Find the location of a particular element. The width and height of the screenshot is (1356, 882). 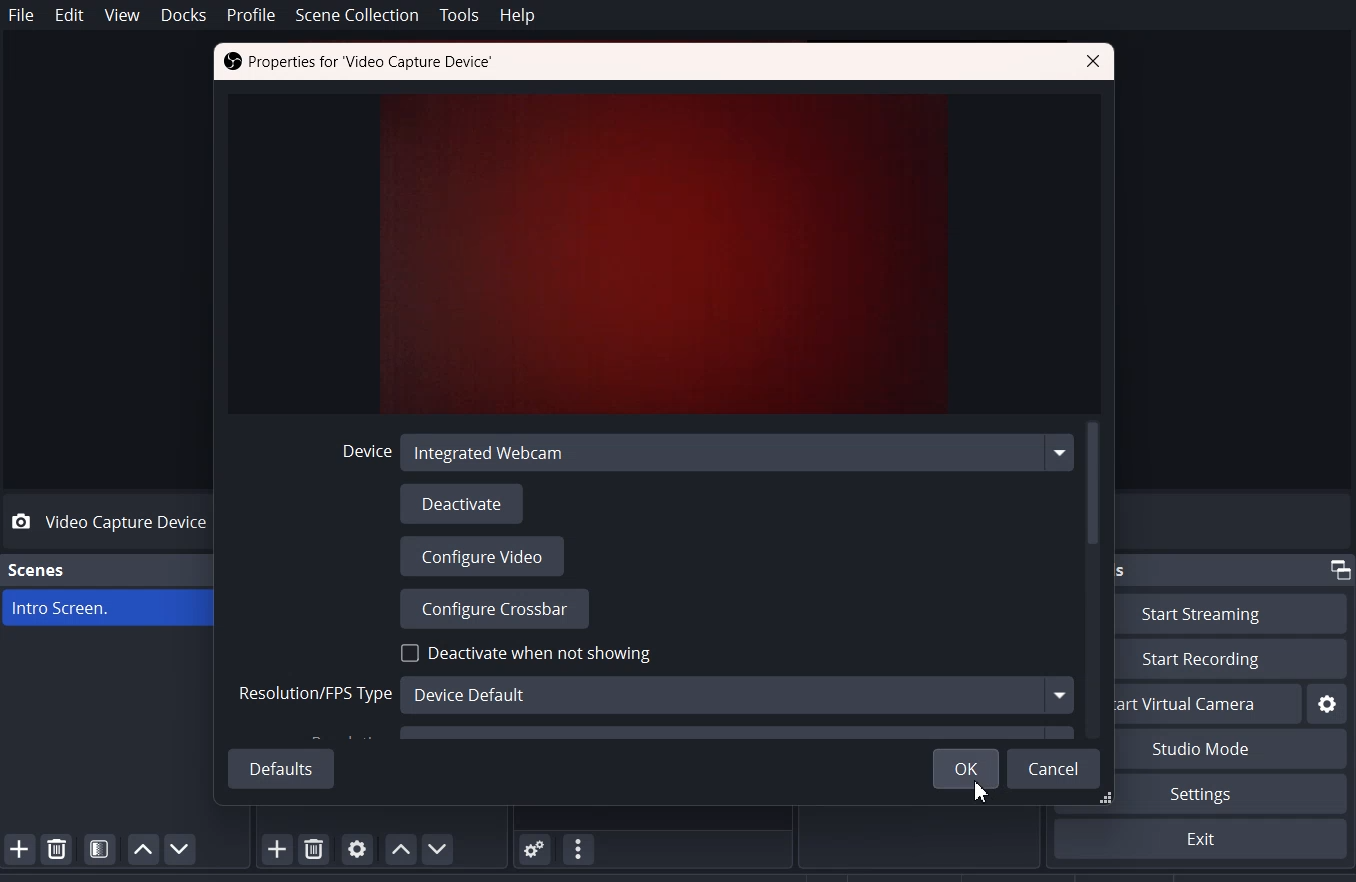

Preview window is located at coordinates (668, 254).